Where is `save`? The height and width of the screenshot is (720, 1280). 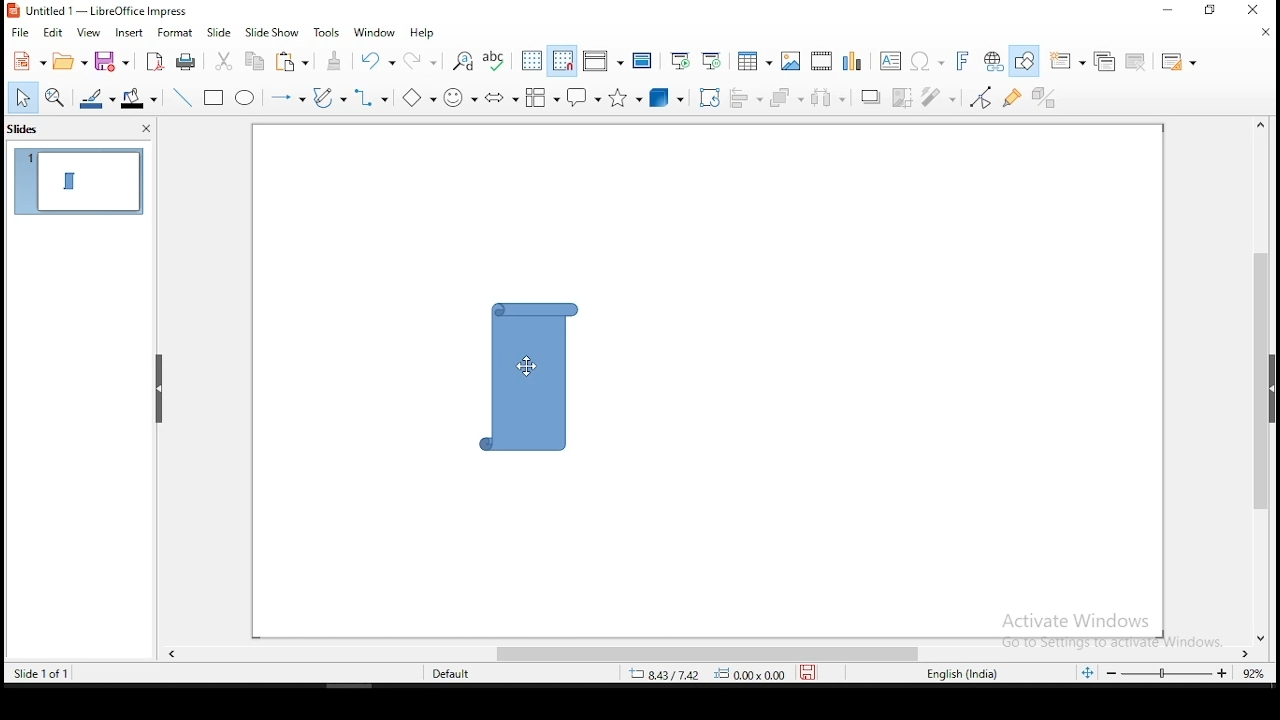 save is located at coordinates (808, 673).